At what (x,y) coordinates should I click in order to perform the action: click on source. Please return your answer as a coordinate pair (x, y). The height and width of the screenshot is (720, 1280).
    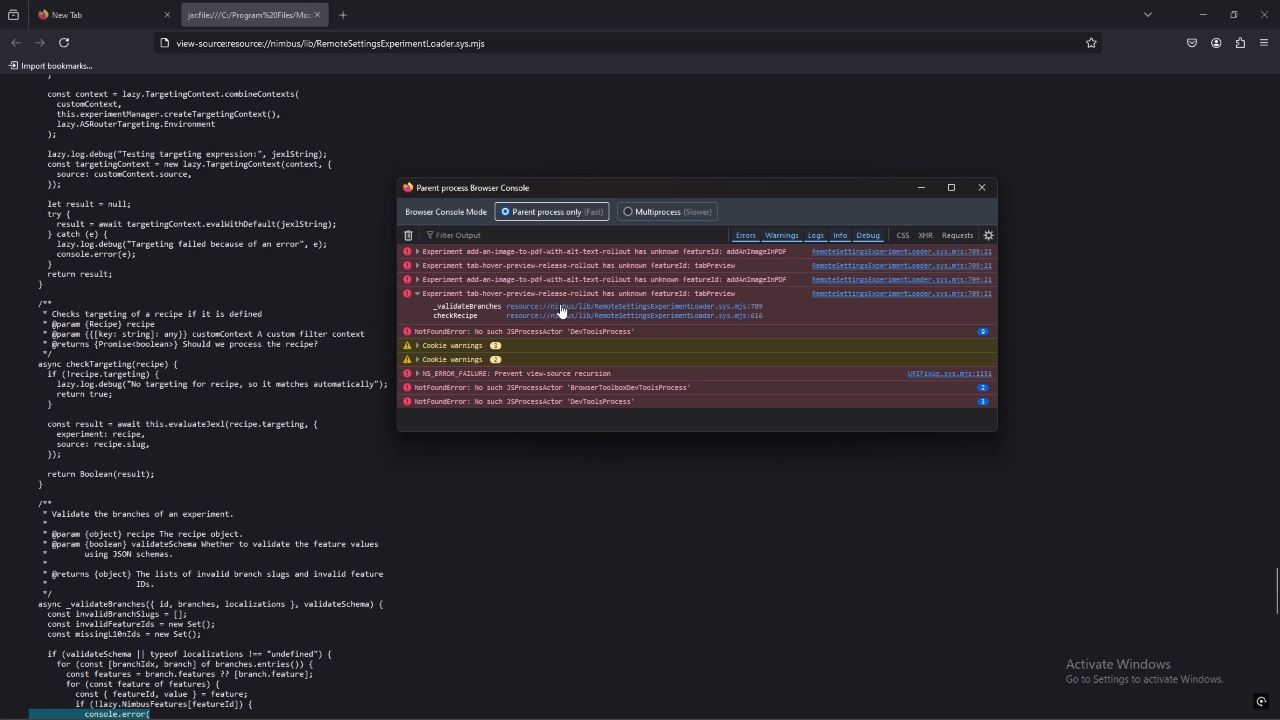
    Looking at the image, I should click on (600, 305).